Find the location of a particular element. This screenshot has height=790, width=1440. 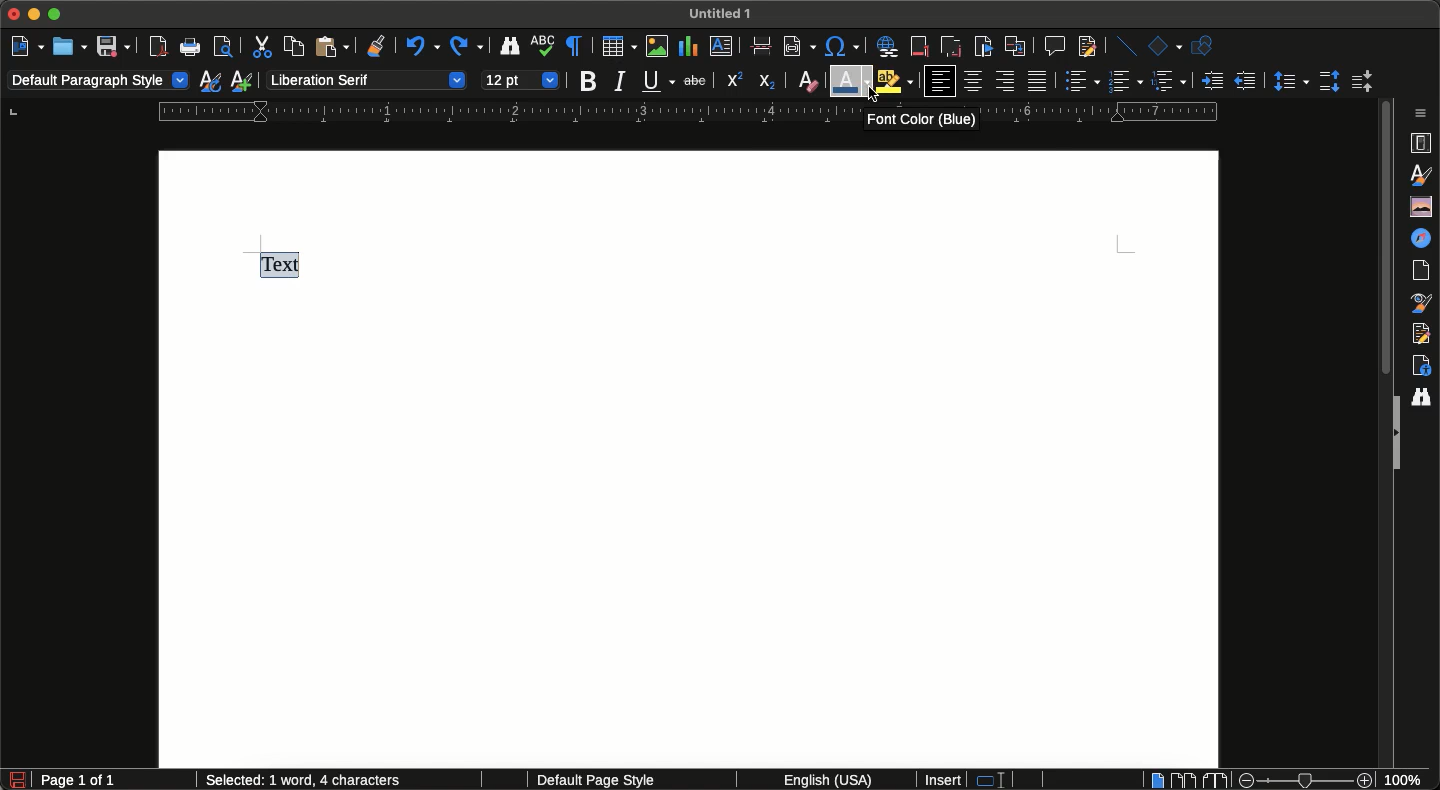

Default page style is located at coordinates (613, 781).